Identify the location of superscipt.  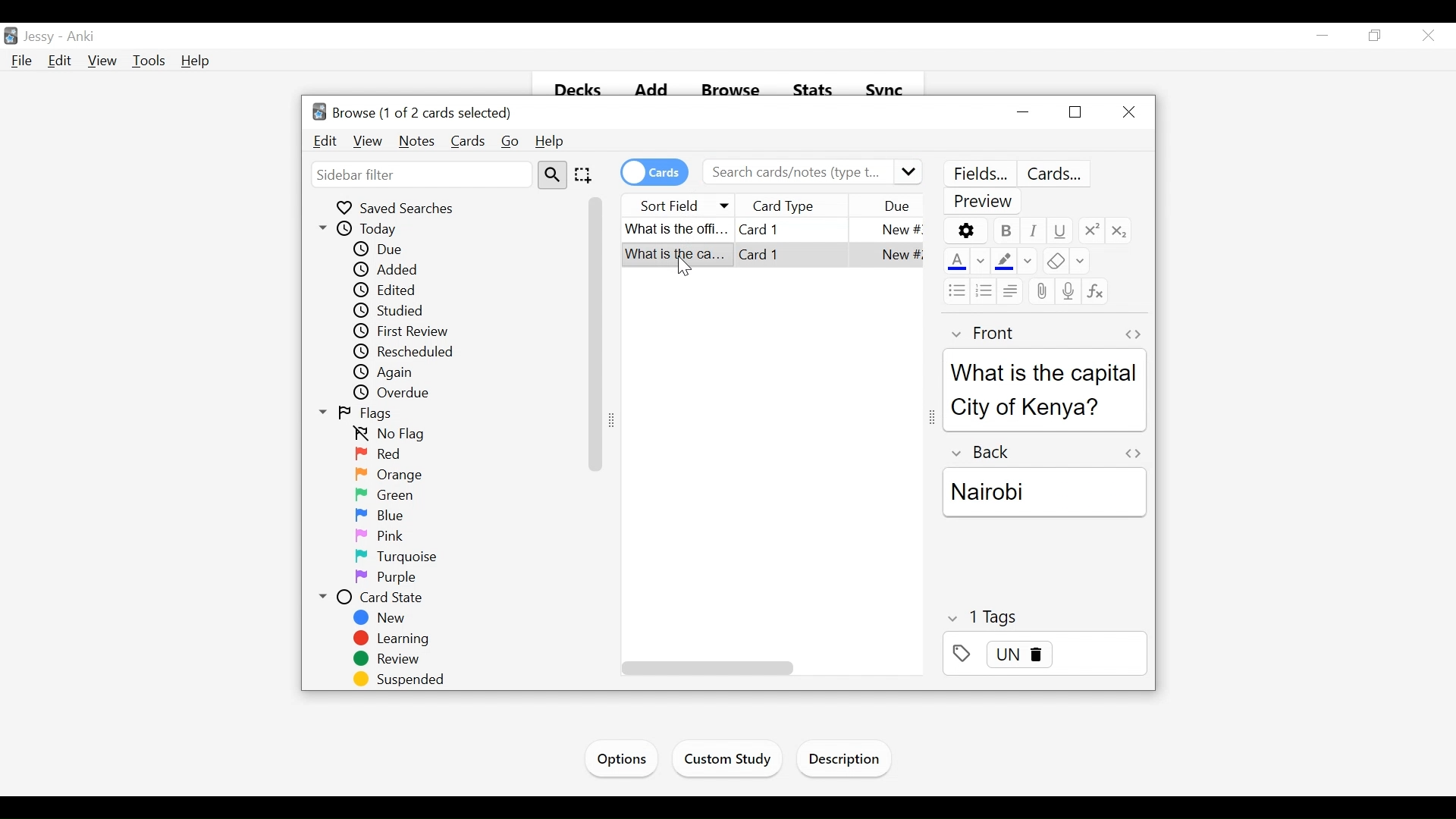
(1090, 230).